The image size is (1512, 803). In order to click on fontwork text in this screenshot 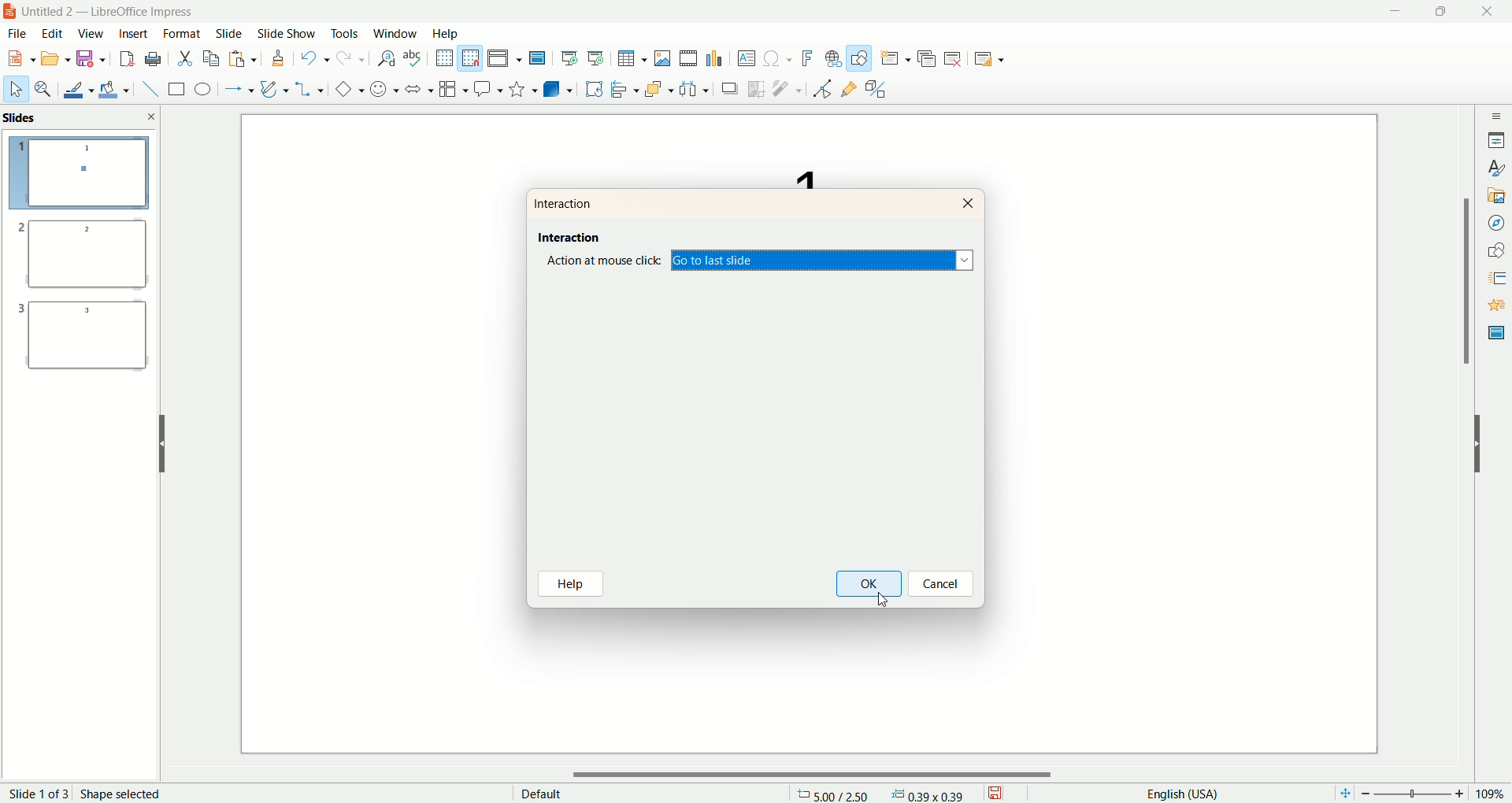, I will do `click(805, 57)`.